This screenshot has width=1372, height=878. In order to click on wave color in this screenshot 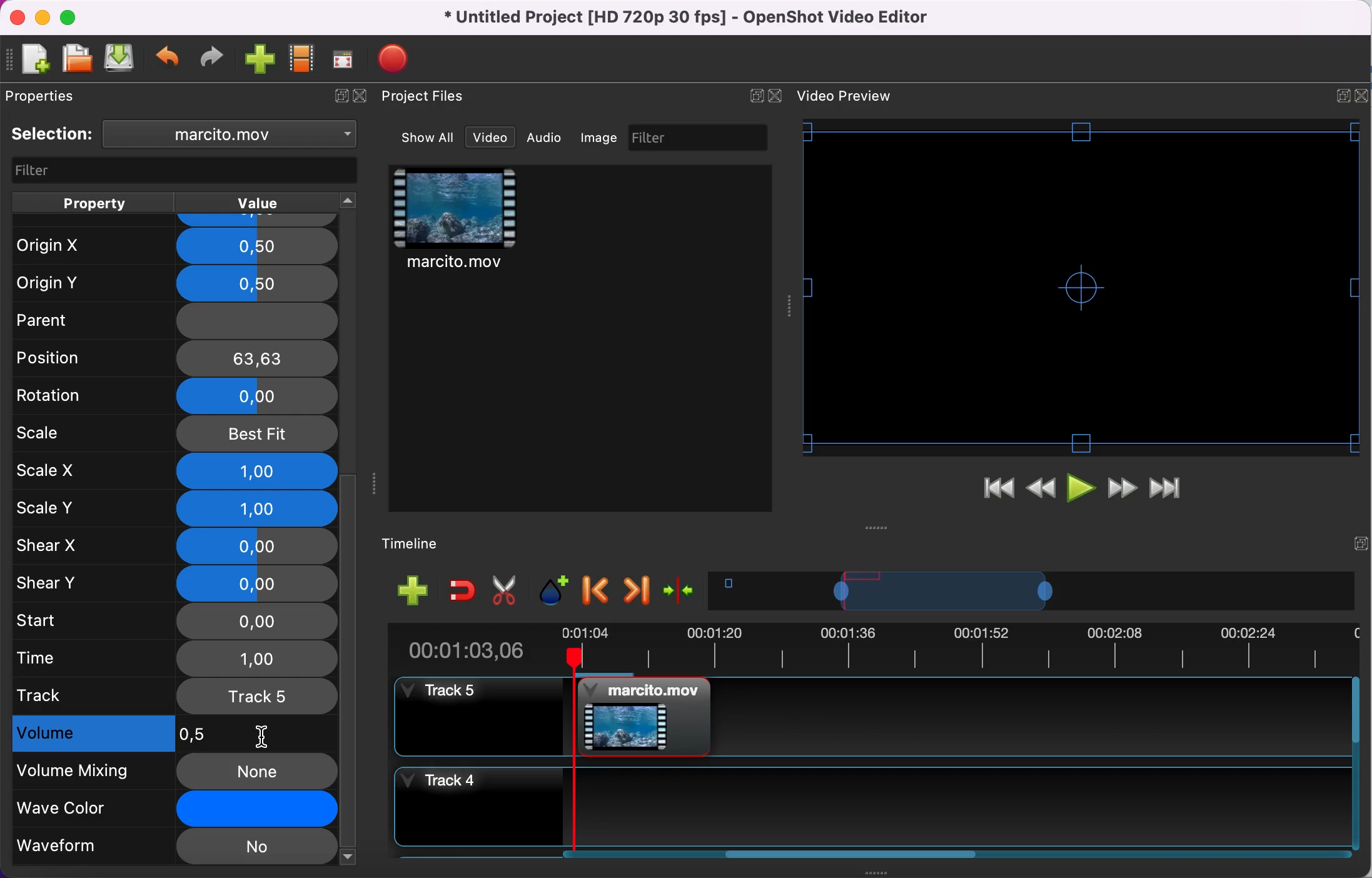, I will do `click(176, 810)`.